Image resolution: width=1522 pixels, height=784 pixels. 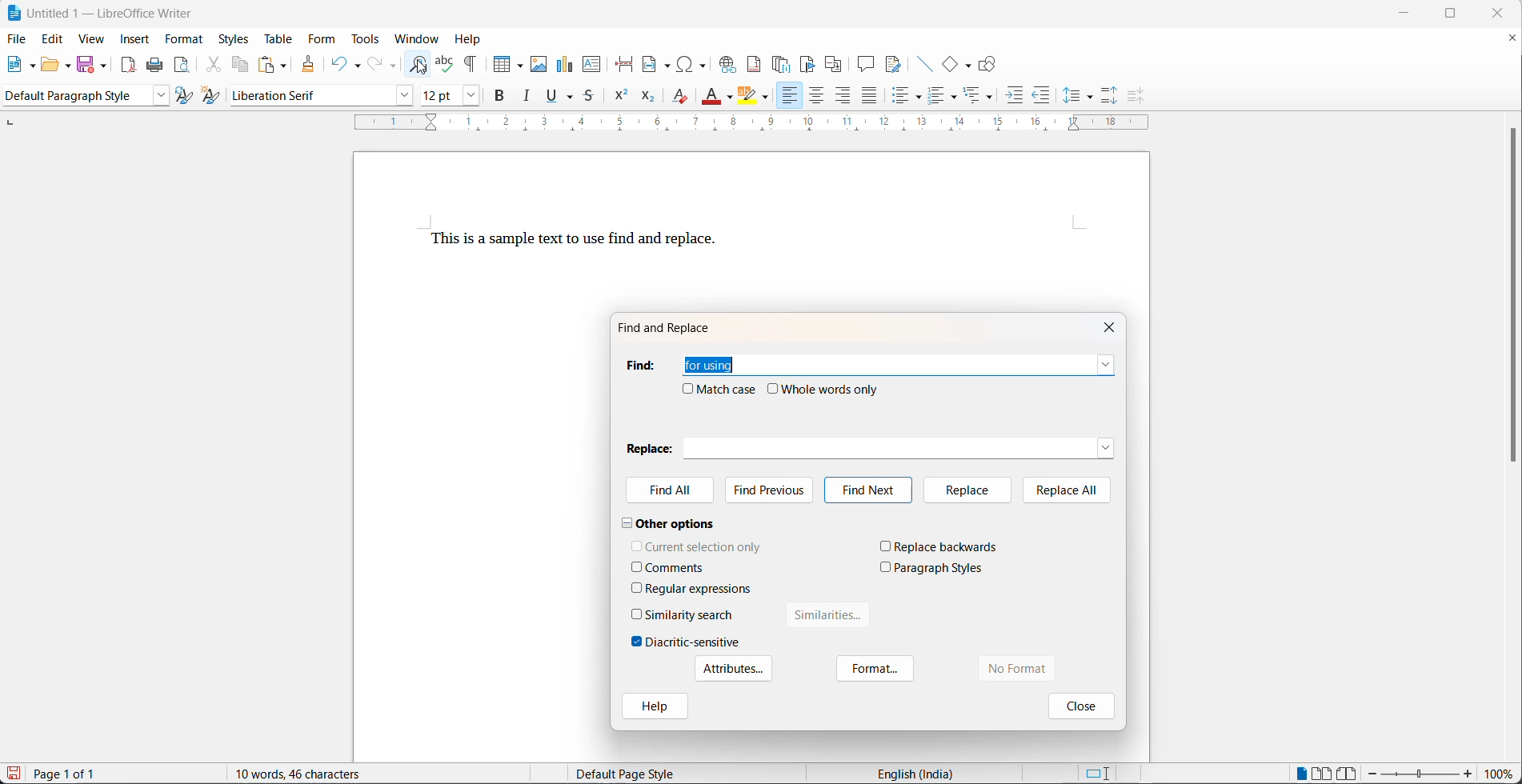 I want to click on zoom slider, so click(x=1420, y=774).